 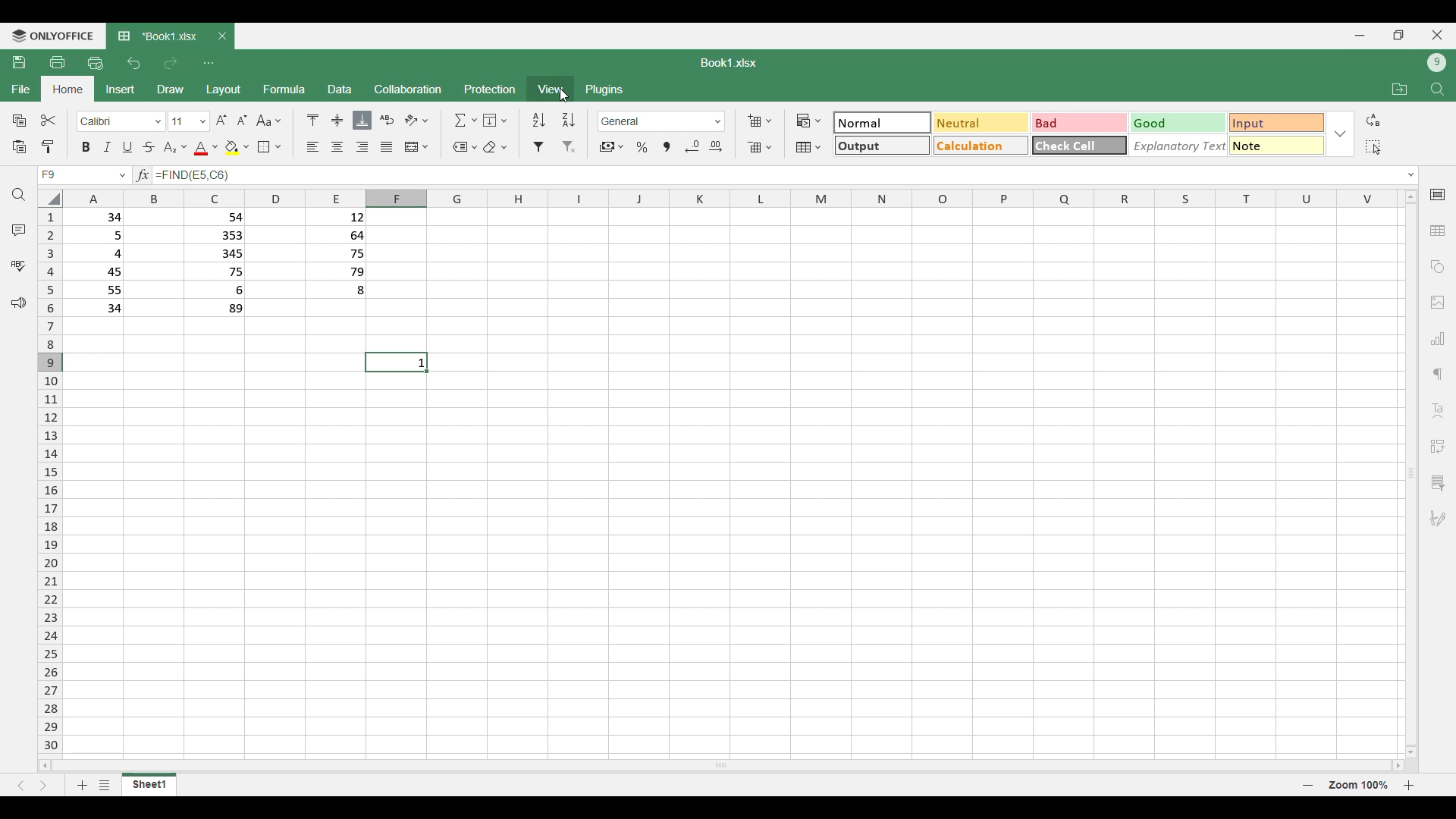 What do you see at coordinates (416, 119) in the screenshot?
I see `Orientation` at bounding box center [416, 119].